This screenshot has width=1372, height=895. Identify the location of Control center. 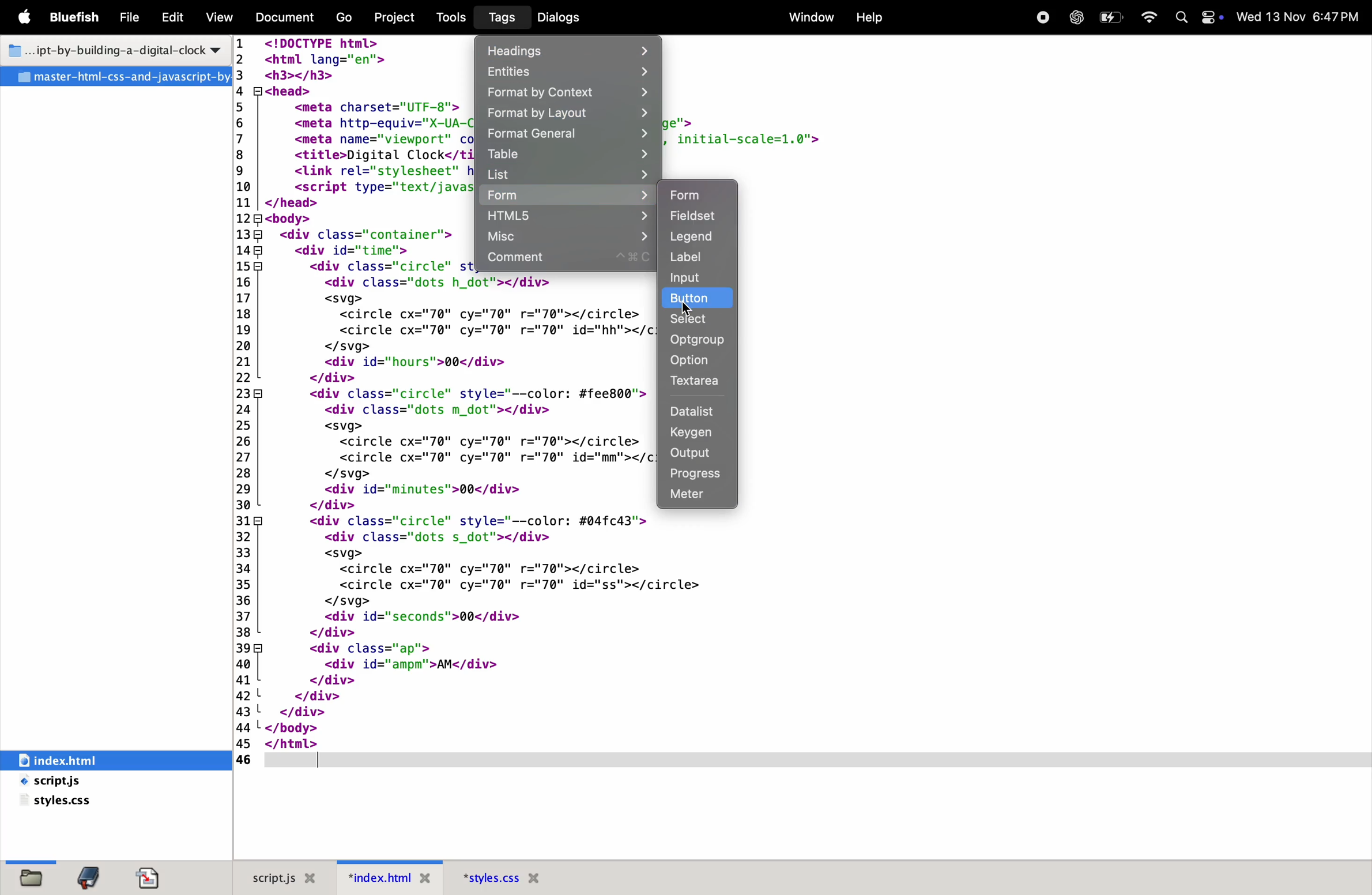
(1212, 17).